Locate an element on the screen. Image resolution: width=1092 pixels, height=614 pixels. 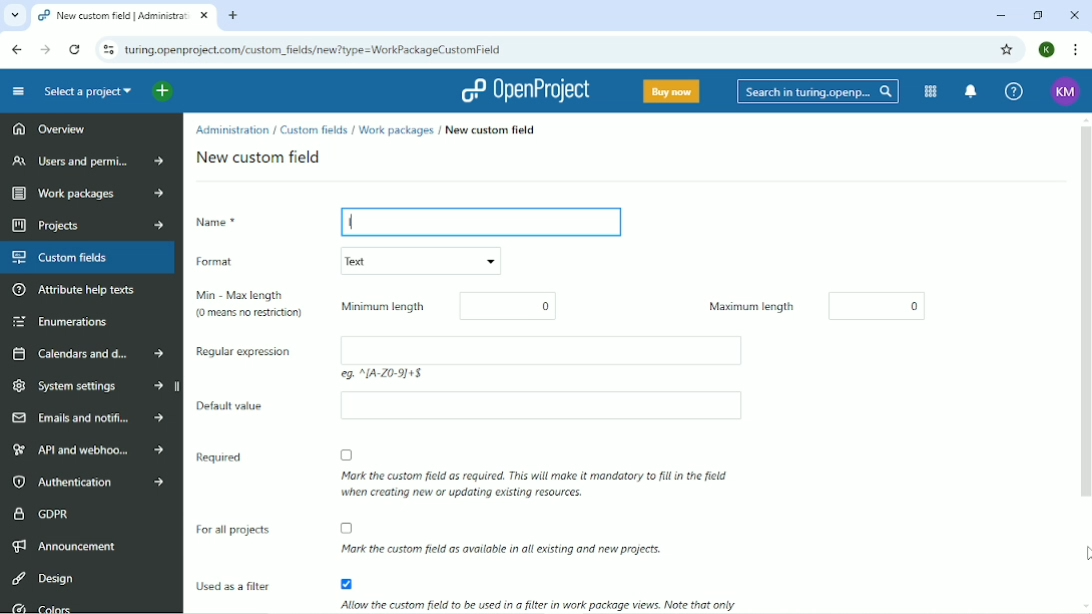
Search tabs is located at coordinates (14, 16).